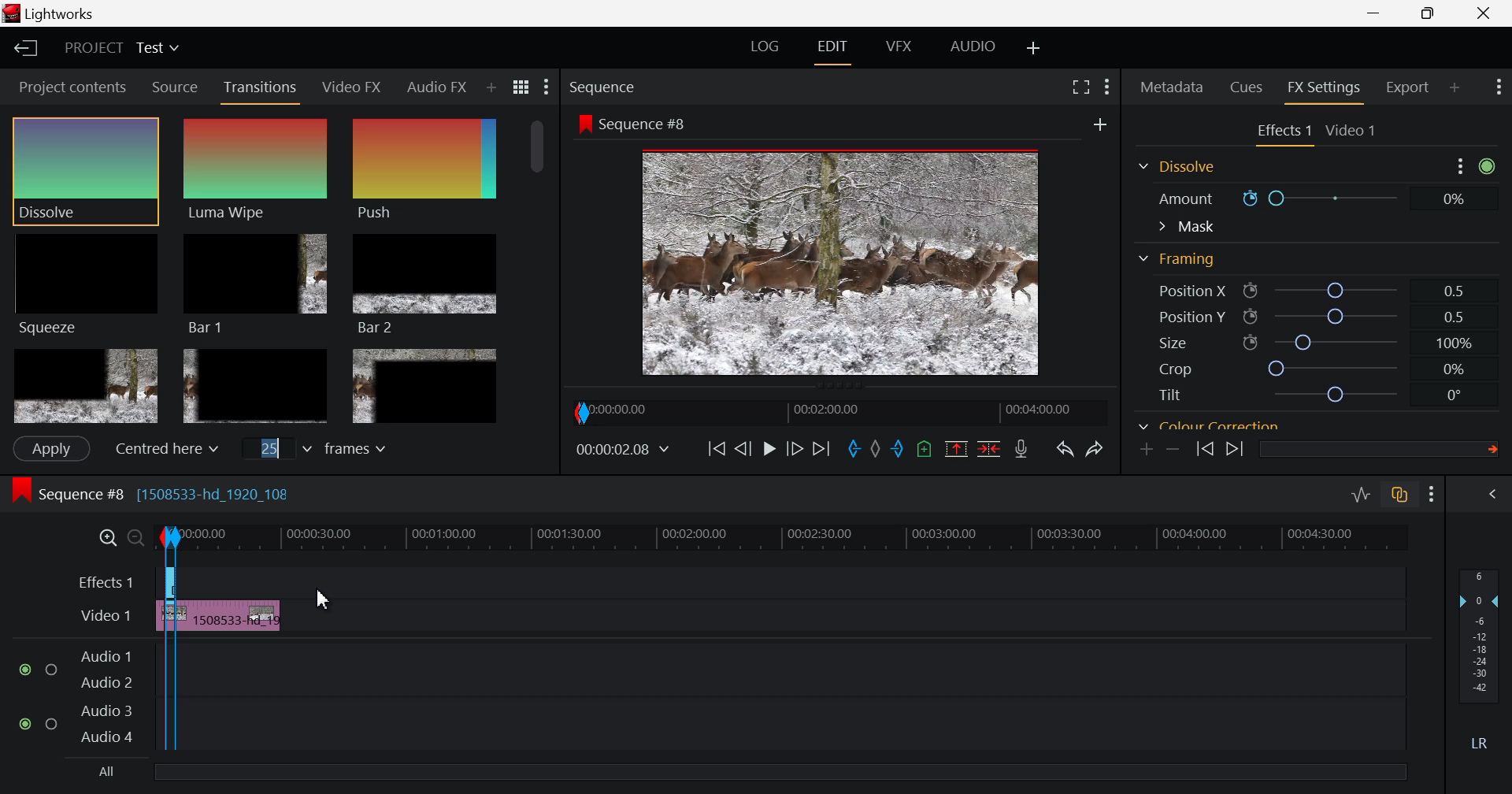 This screenshot has width=1512, height=794. What do you see at coordinates (424, 169) in the screenshot?
I see `Push` at bounding box center [424, 169].